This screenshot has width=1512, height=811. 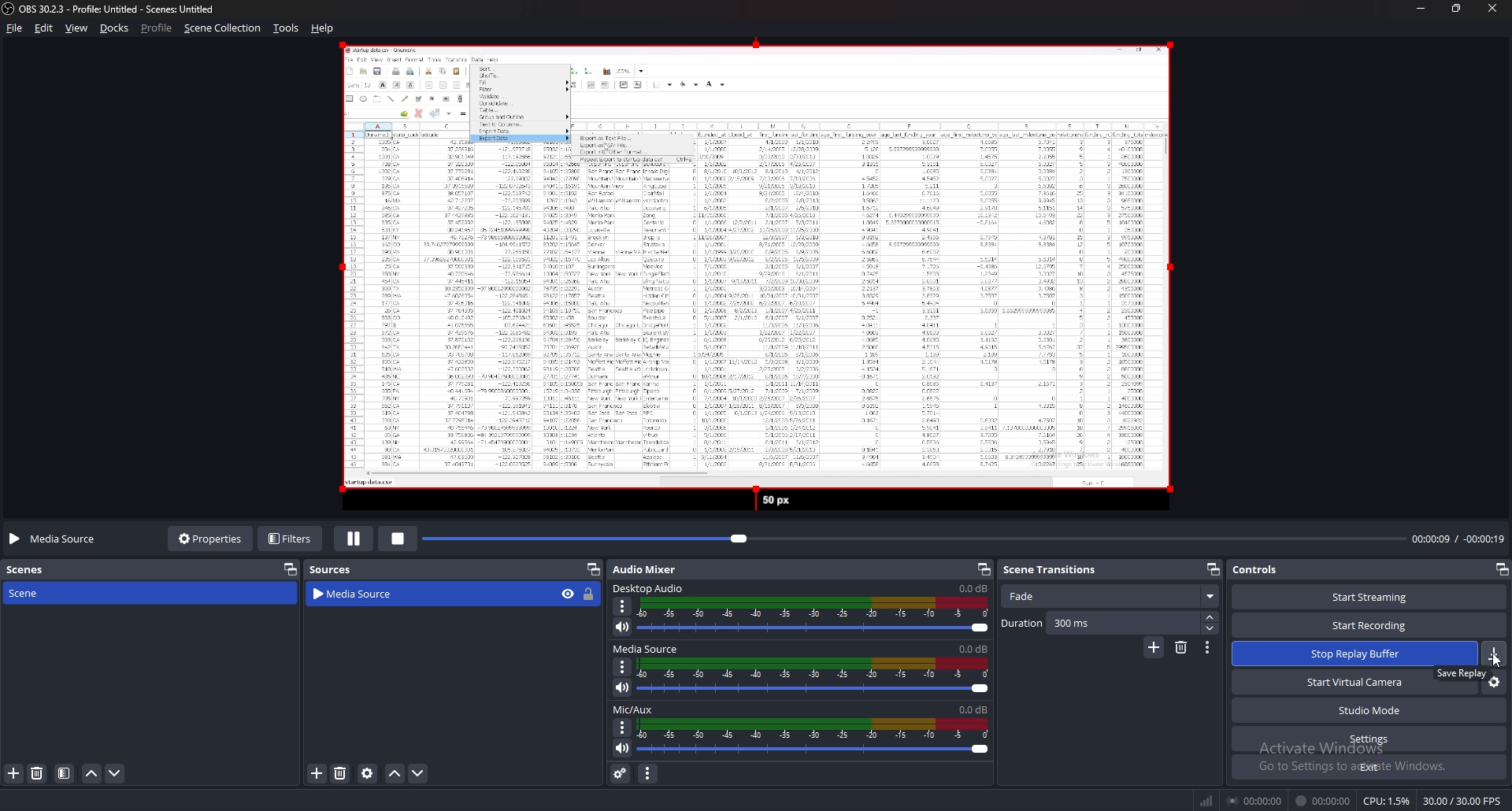 I want to click on pop out, so click(x=982, y=568).